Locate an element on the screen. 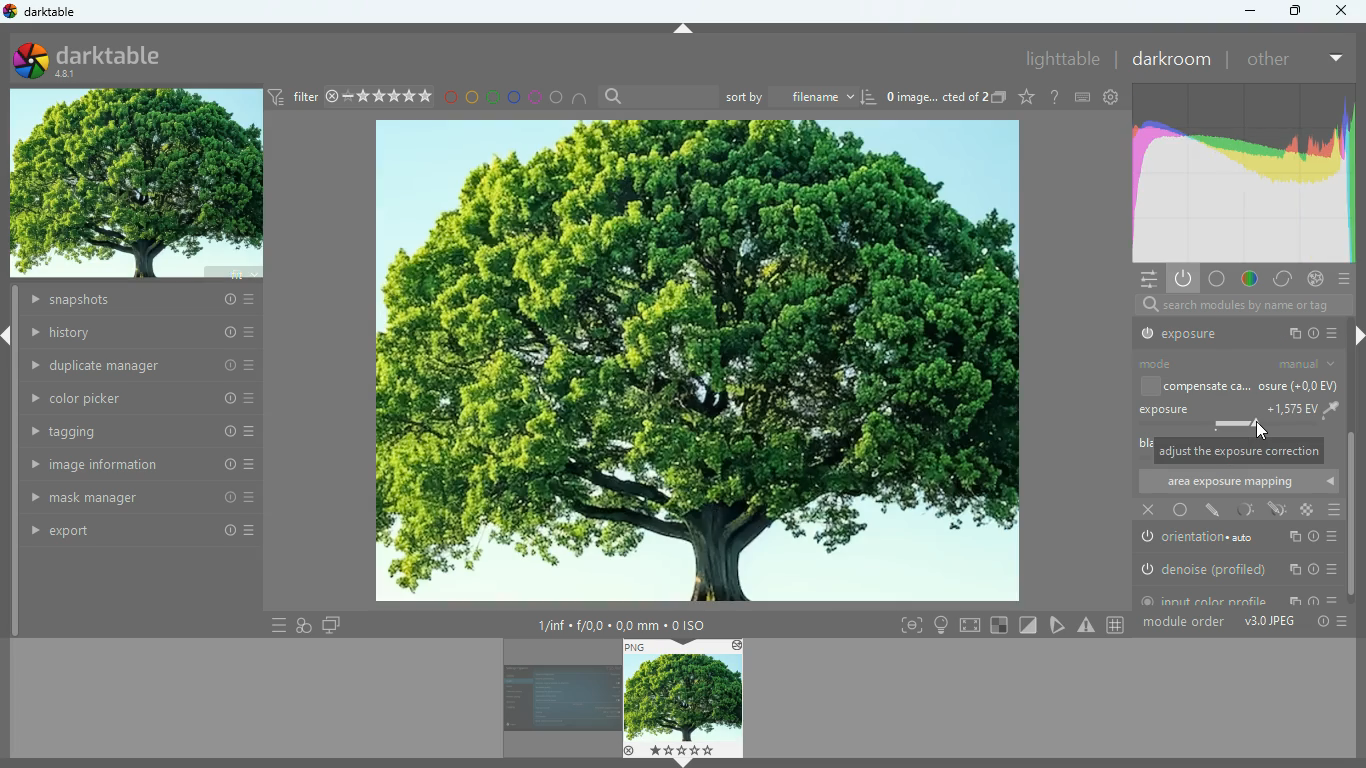  image is located at coordinates (561, 702).